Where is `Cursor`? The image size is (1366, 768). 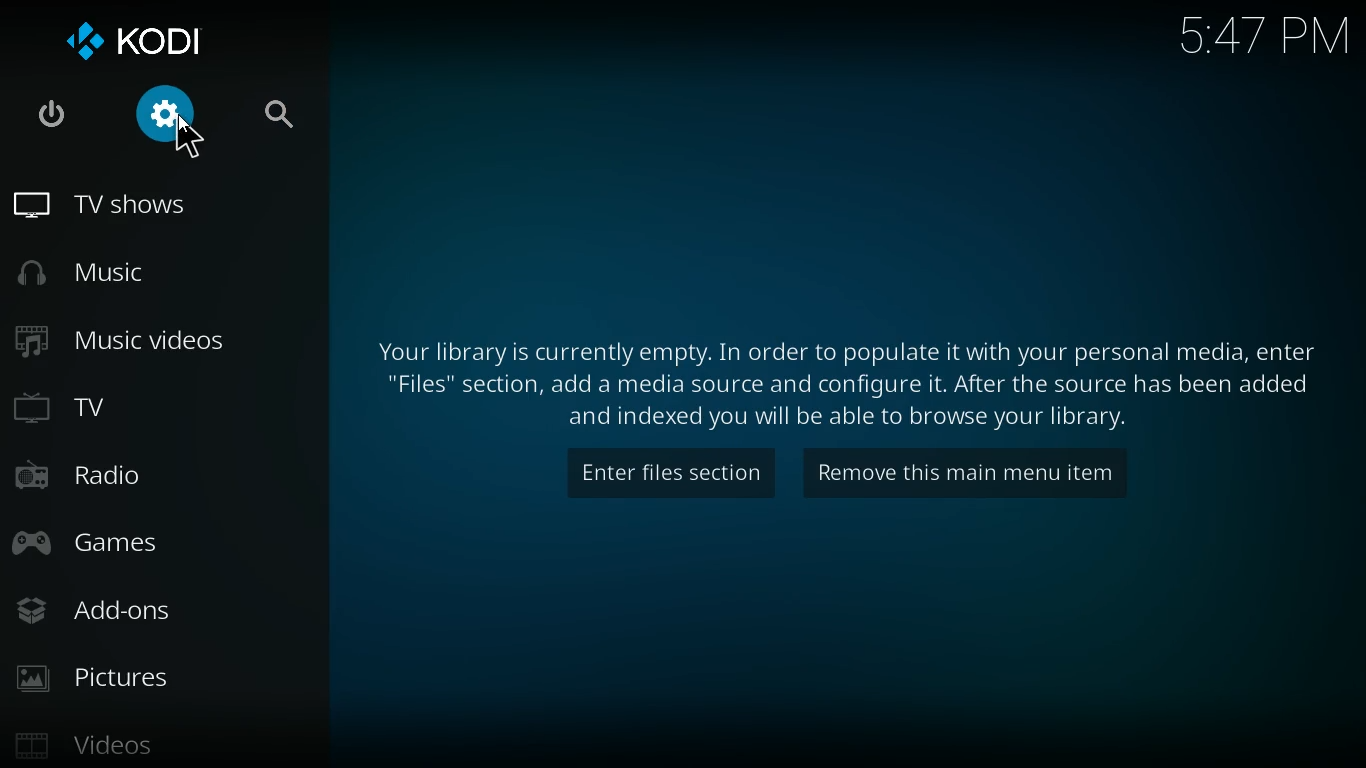
Cursor is located at coordinates (188, 141).